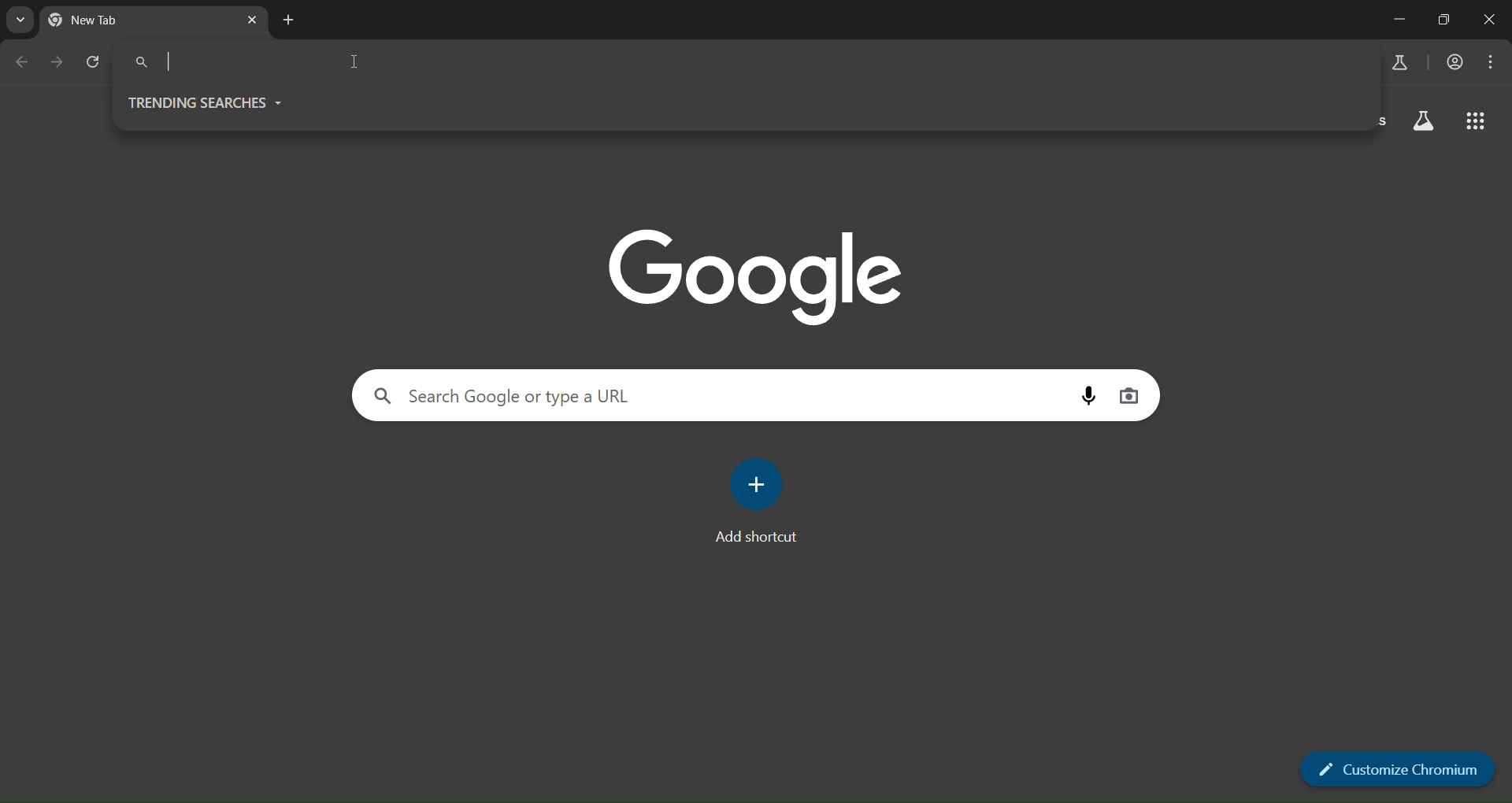 The height and width of the screenshot is (803, 1512). Describe the element at coordinates (20, 62) in the screenshot. I see `go back one page` at that location.